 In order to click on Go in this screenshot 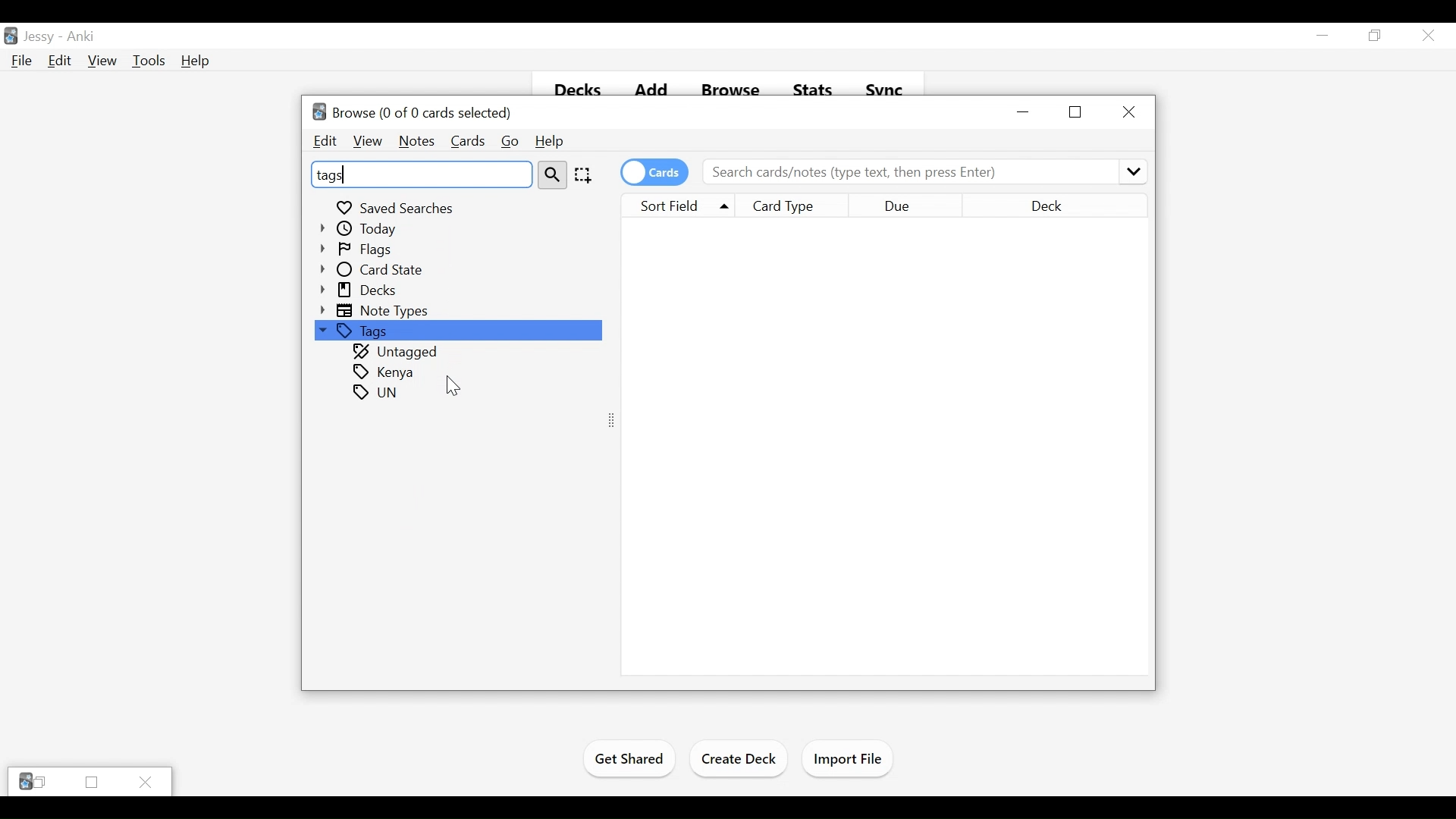, I will do `click(509, 142)`.